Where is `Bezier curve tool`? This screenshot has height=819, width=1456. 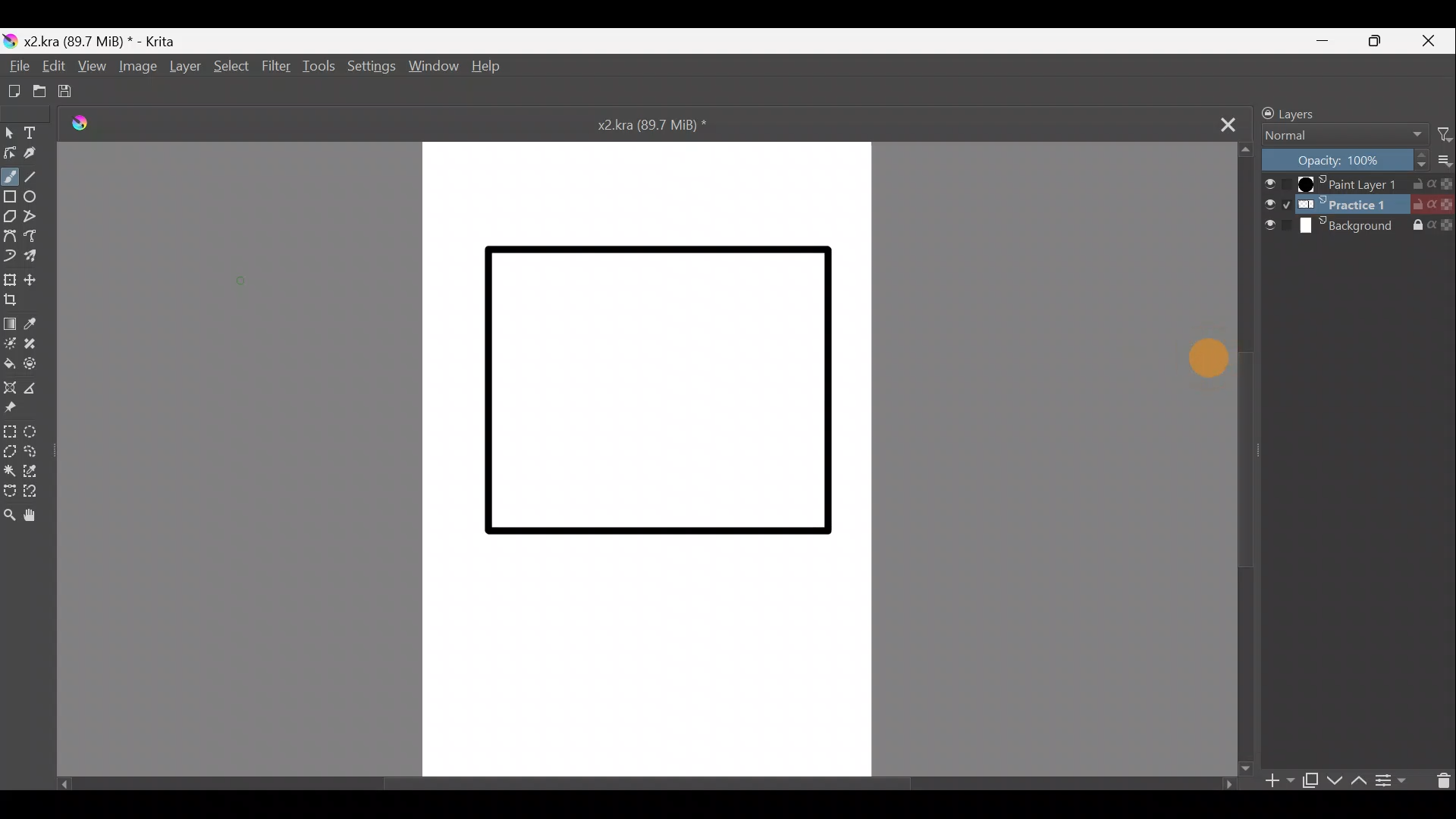
Bezier curve tool is located at coordinates (10, 237).